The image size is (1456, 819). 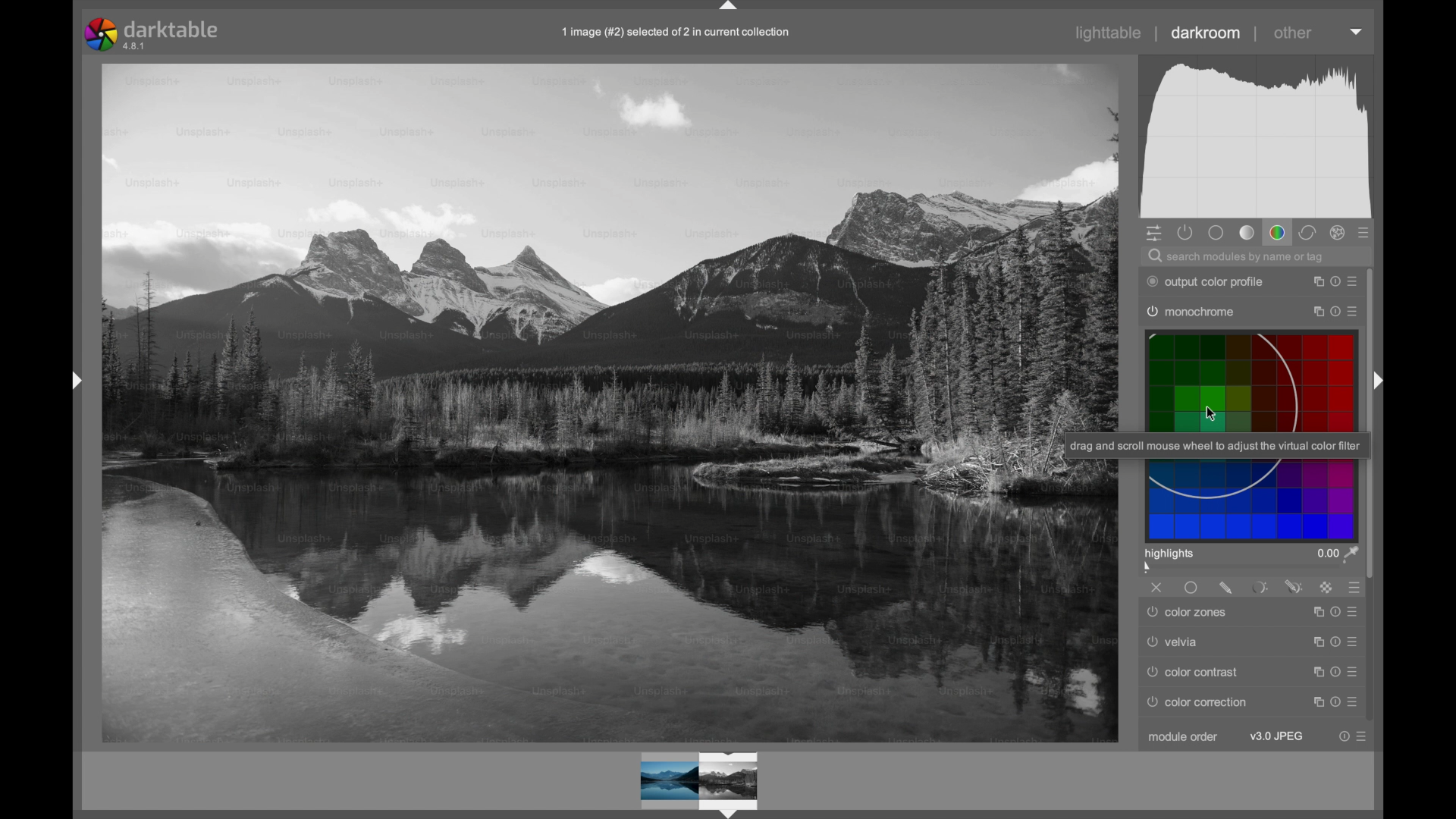 I want to click on instance, so click(x=1316, y=701).